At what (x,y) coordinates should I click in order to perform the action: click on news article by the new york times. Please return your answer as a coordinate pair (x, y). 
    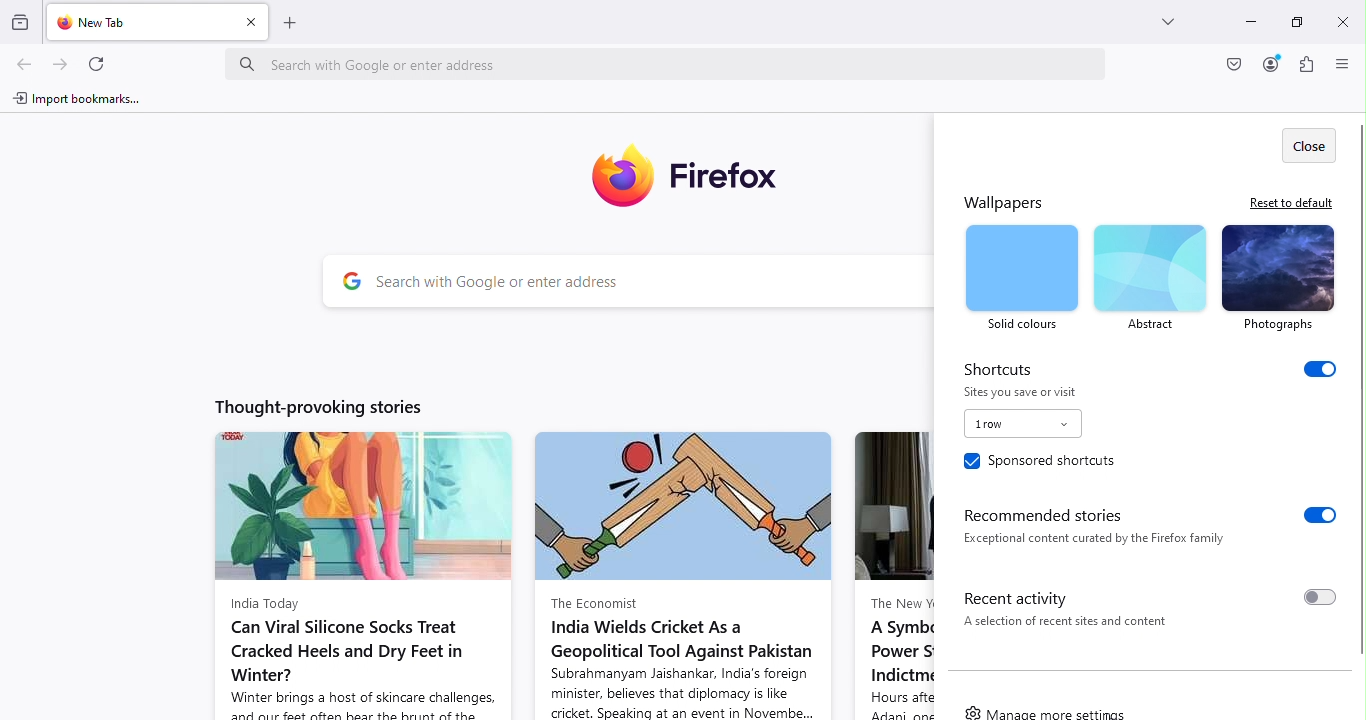
    Looking at the image, I should click on (893, 575).